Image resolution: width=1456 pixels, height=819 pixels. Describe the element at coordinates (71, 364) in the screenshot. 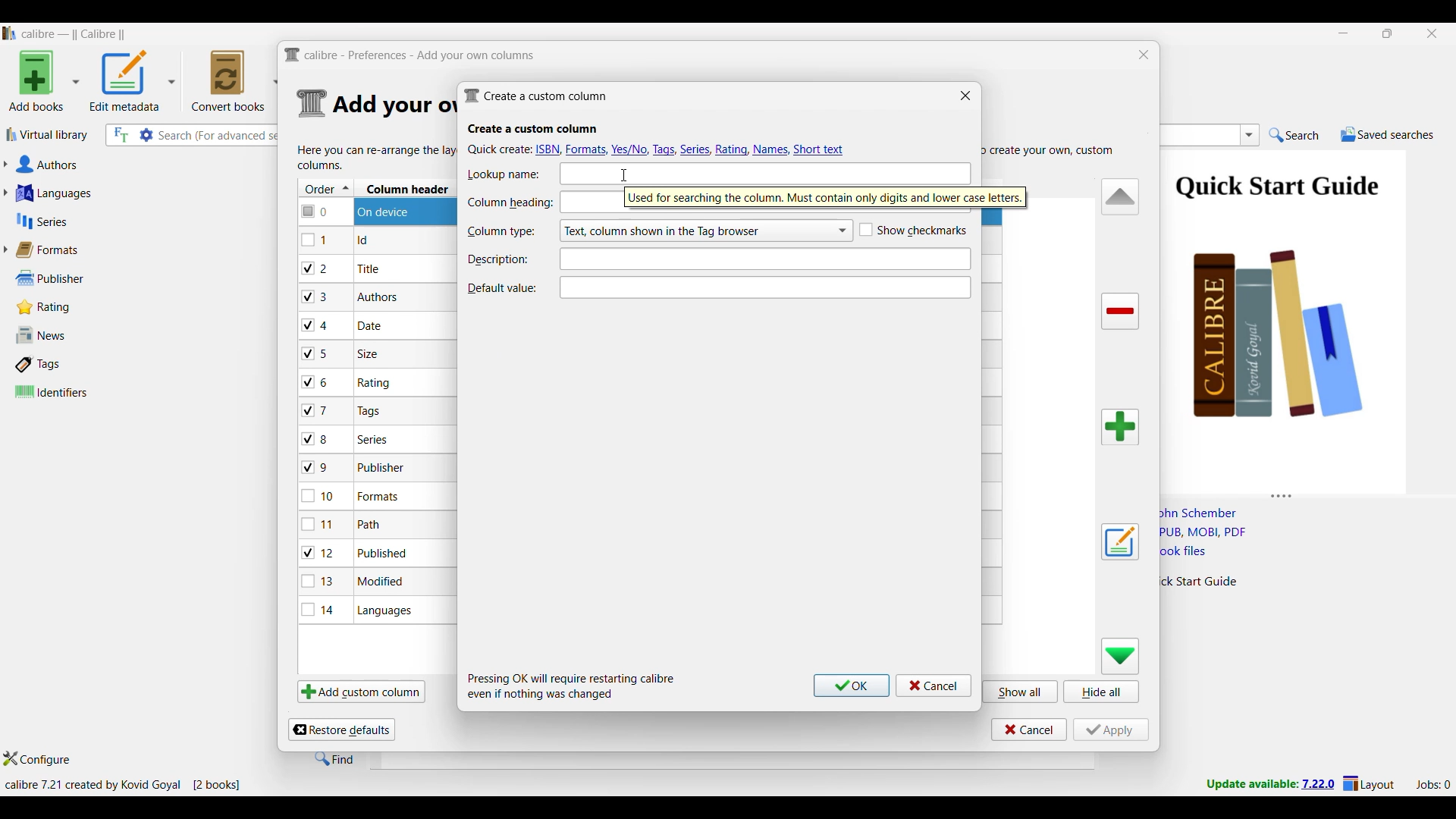

I see `Tags` at that location.